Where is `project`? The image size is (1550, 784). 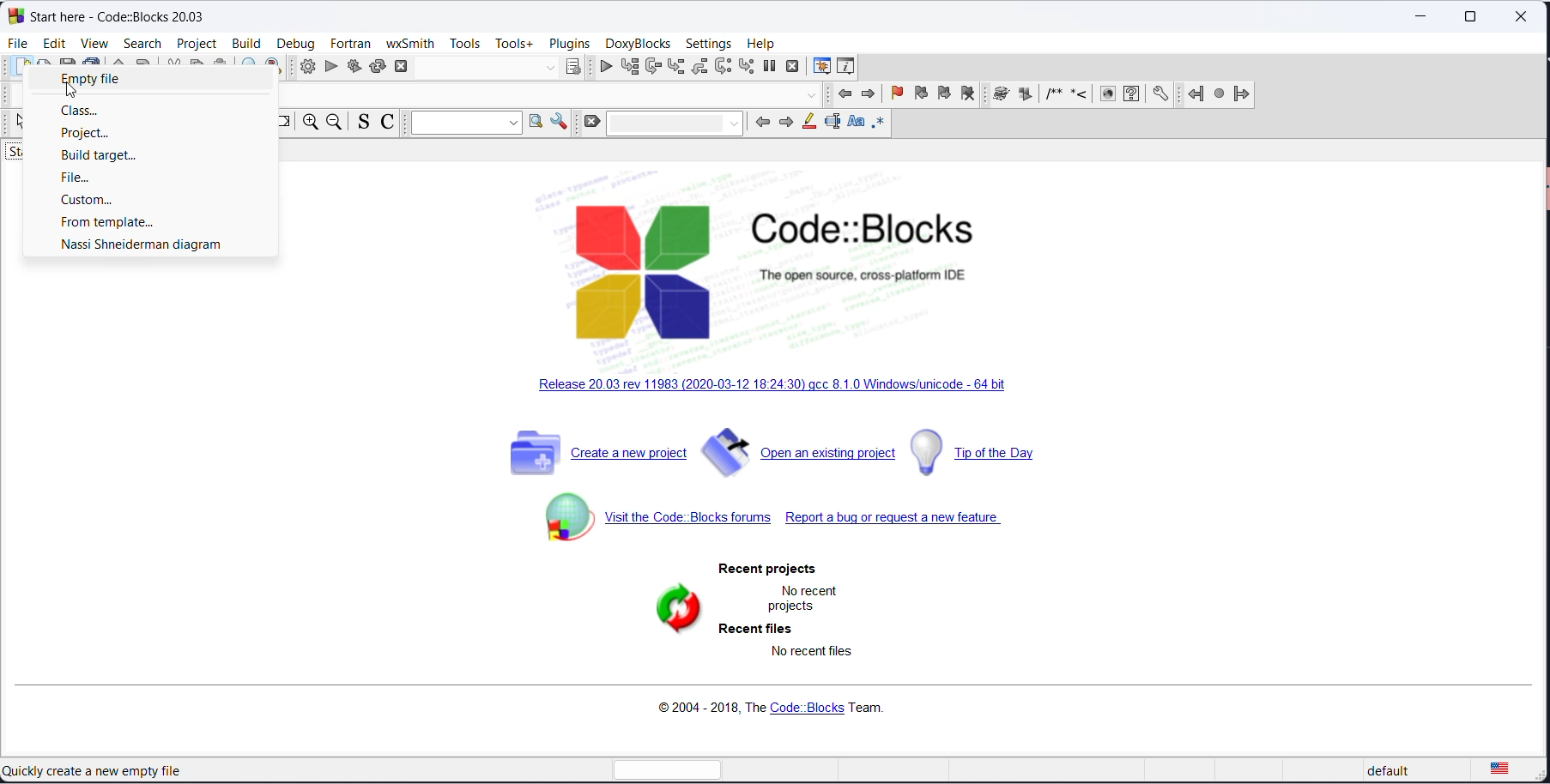
project is located at coordinates (148, 134).